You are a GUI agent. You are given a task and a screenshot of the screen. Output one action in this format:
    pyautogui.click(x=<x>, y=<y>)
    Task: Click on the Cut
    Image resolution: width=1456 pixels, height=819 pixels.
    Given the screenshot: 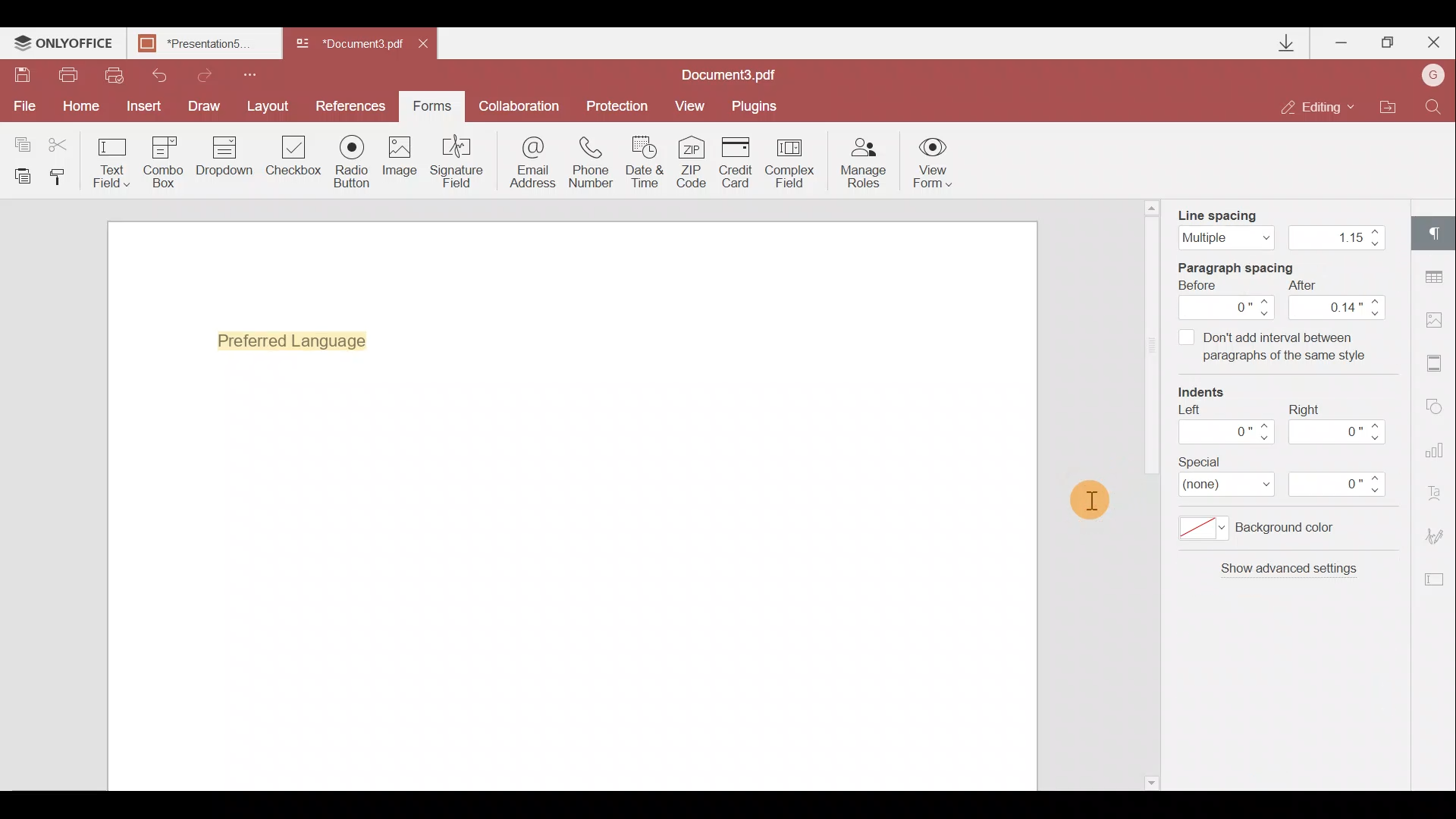 What is the action you would take?
    pyautogui.click(x=67, y=142)
    